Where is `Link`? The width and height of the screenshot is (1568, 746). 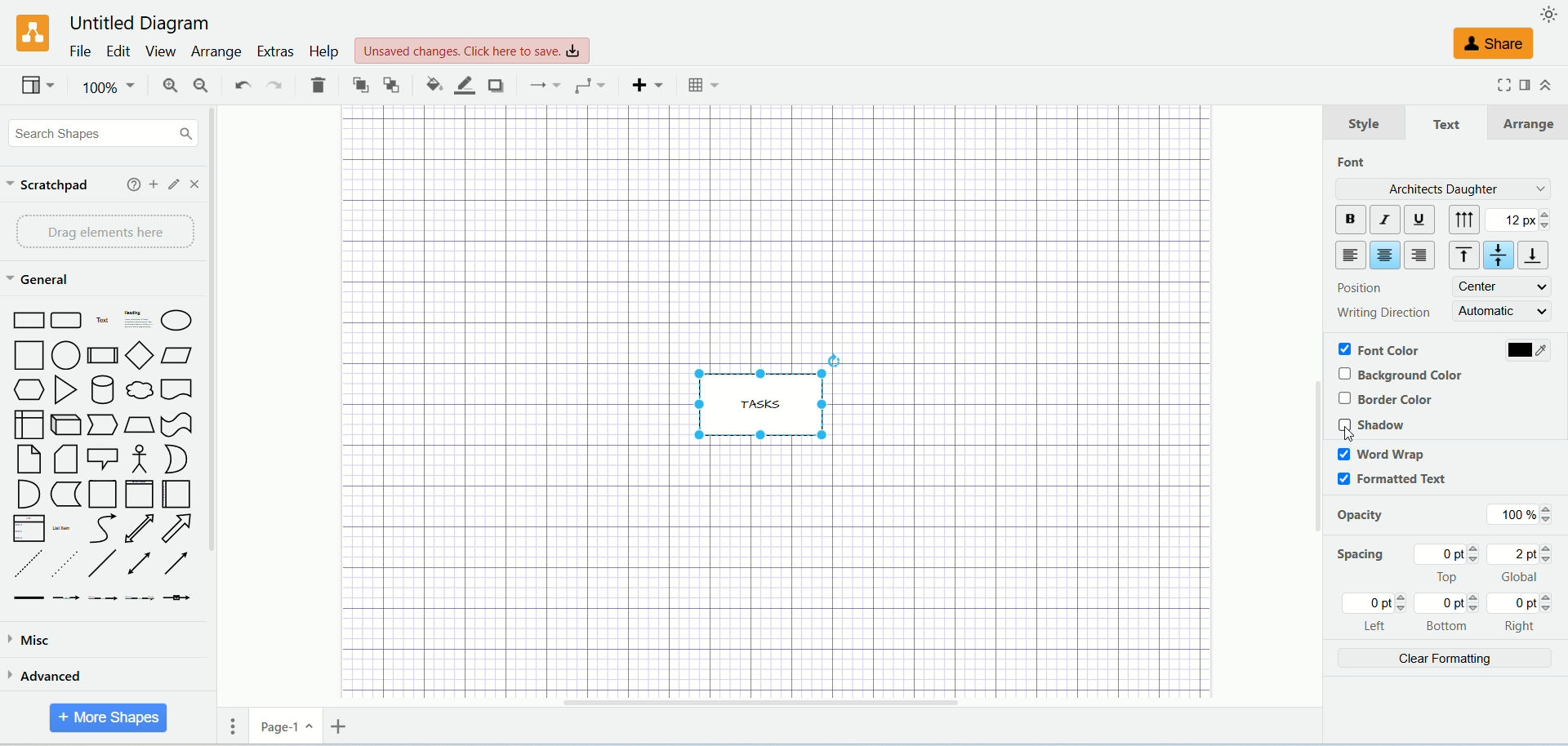 Link is located at coordinates (29, 598).